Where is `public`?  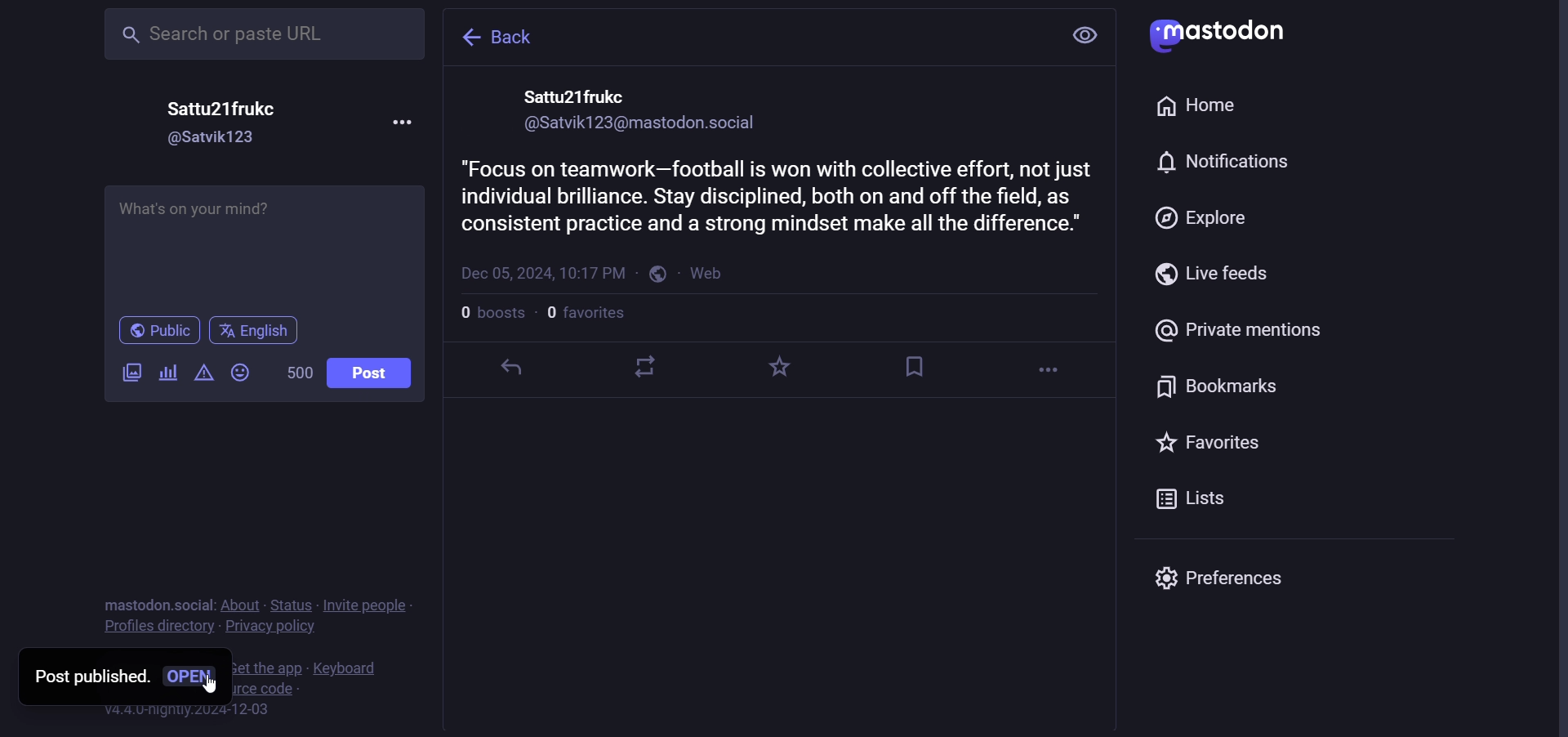 public is located at coordinates (656, 274).